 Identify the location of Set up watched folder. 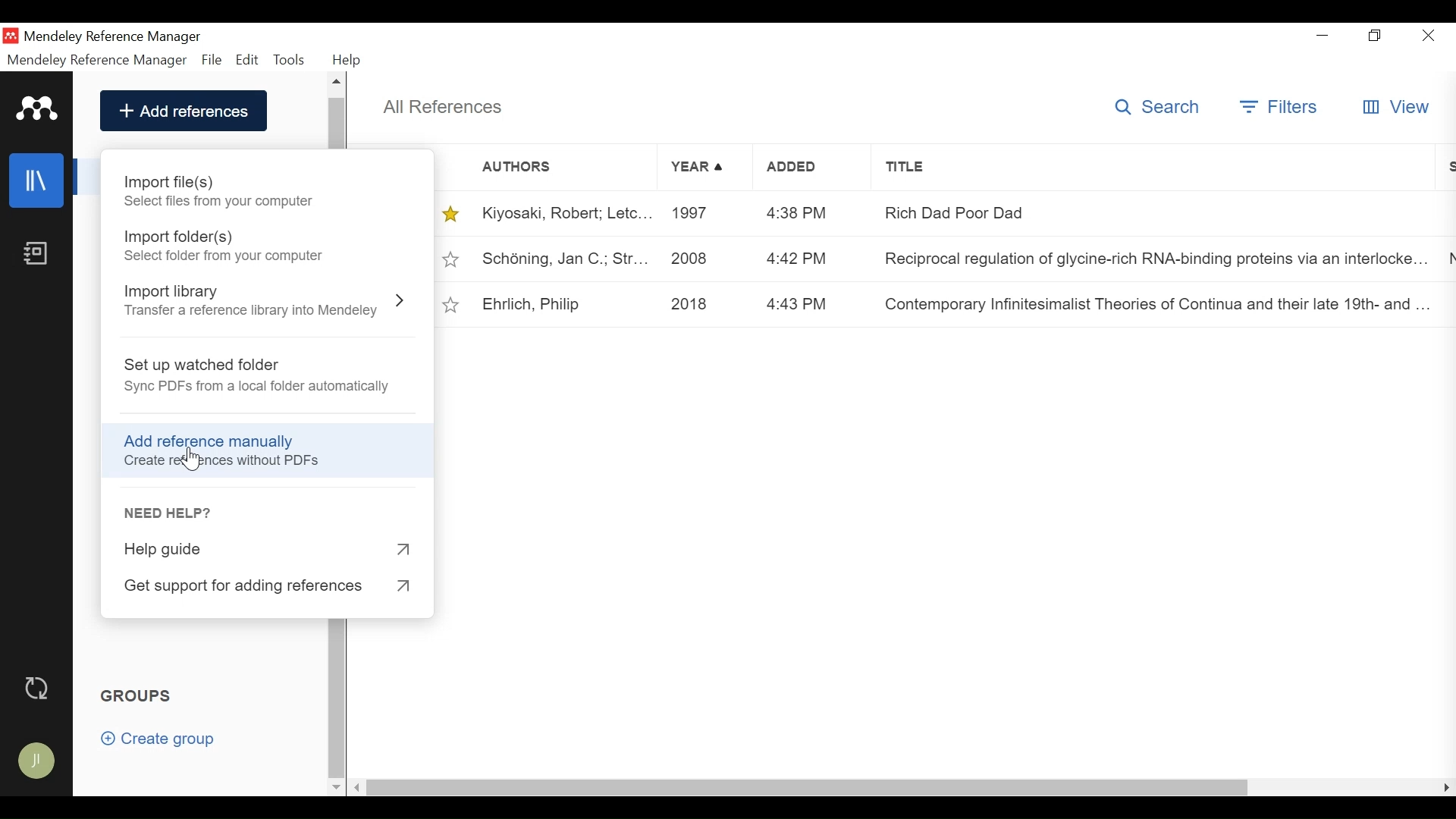
(199, 366).